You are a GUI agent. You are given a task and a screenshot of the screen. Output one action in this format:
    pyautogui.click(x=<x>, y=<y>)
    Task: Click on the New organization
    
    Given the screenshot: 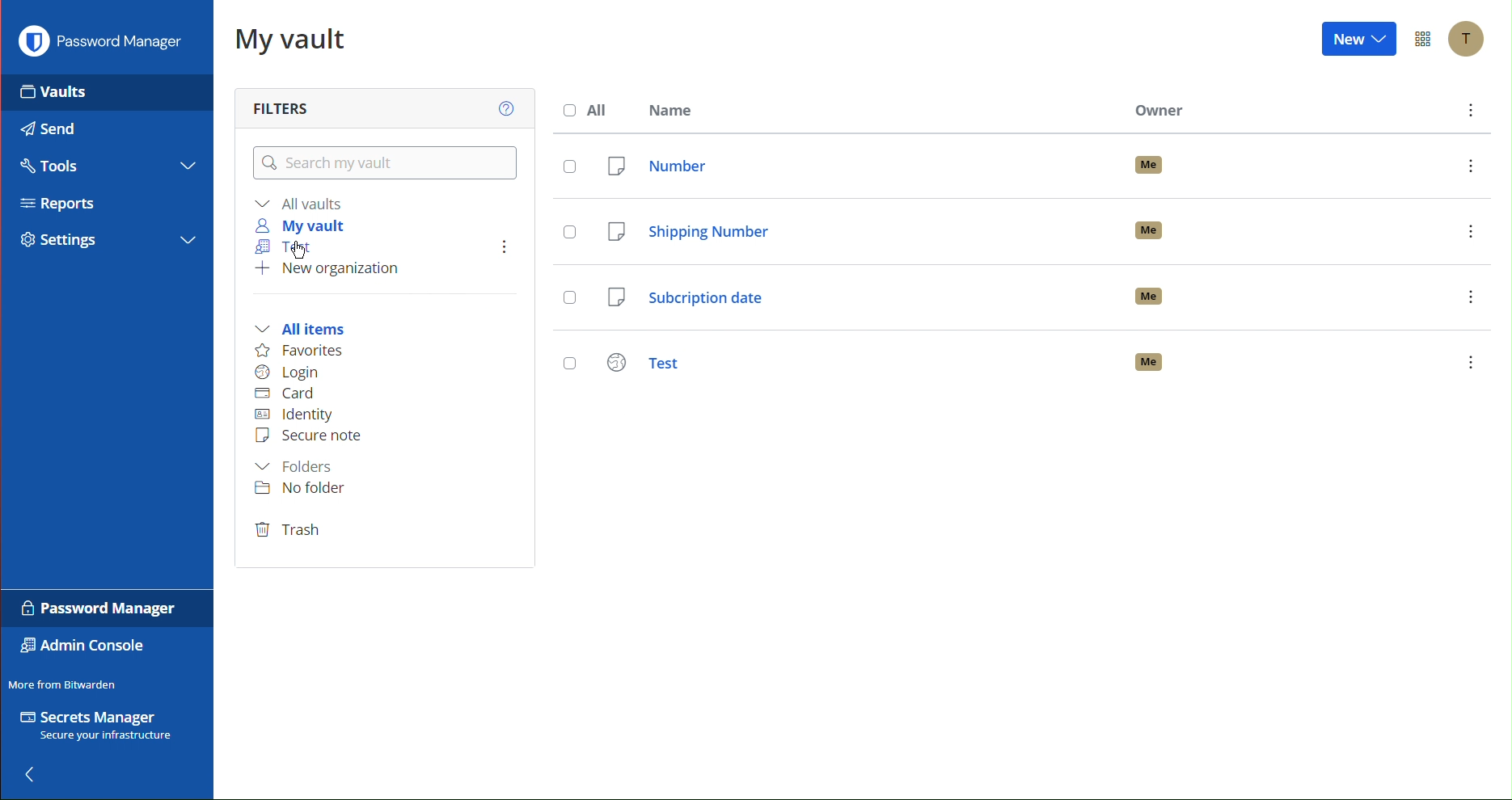 What is the action you would take?
    pyautogui.click(x=330, y=272)
    